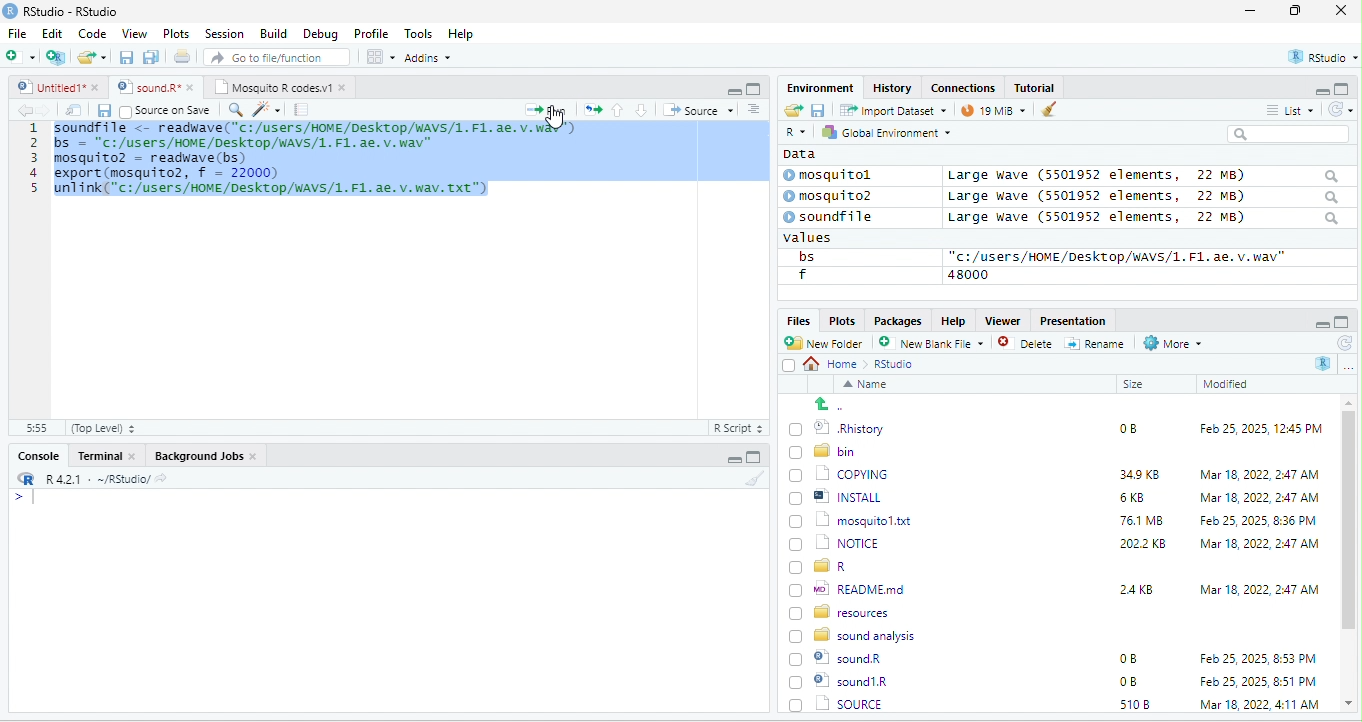  I want to click on search, so click(1288, 134).